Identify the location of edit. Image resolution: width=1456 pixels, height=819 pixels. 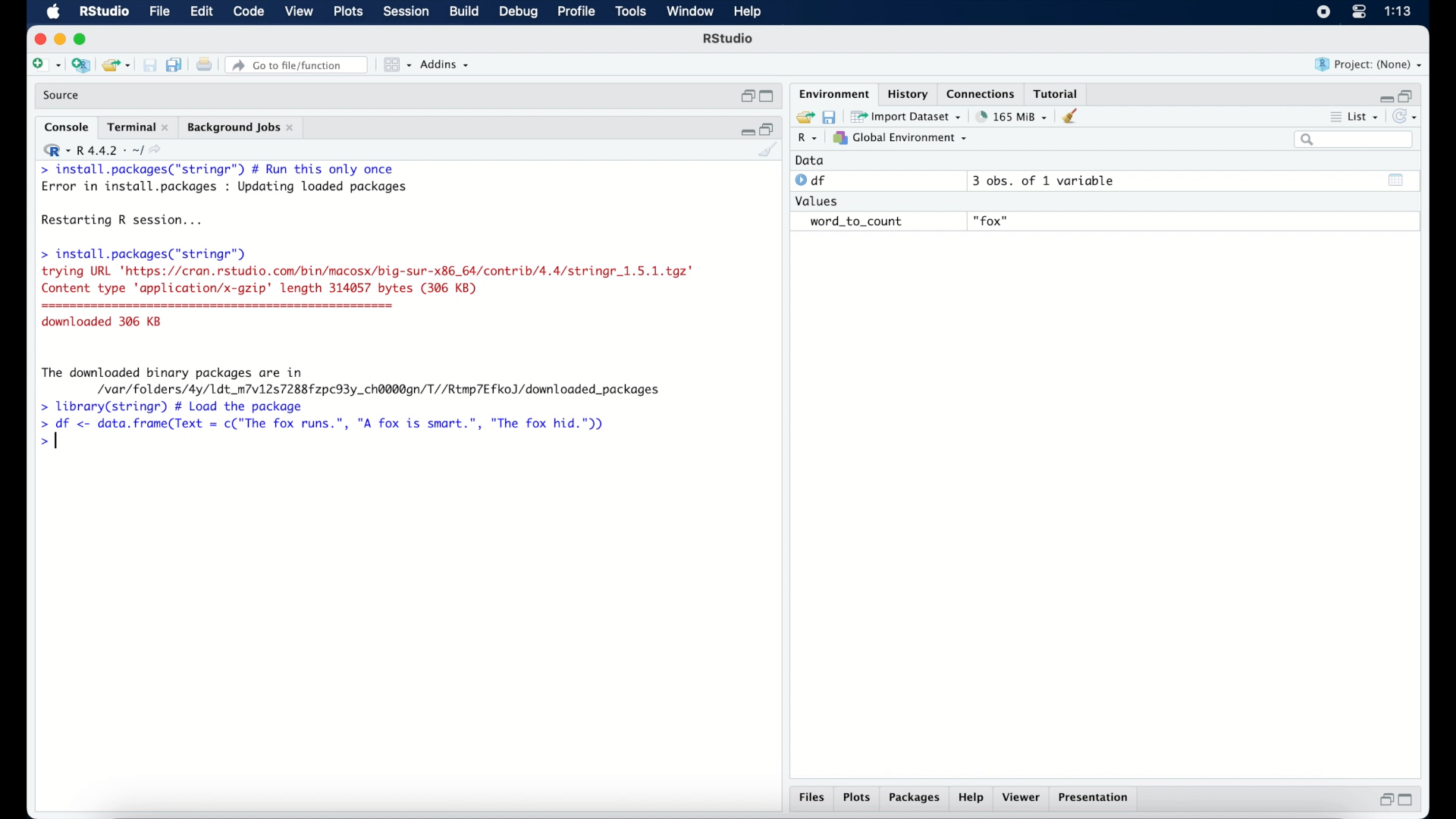
(201, 12).